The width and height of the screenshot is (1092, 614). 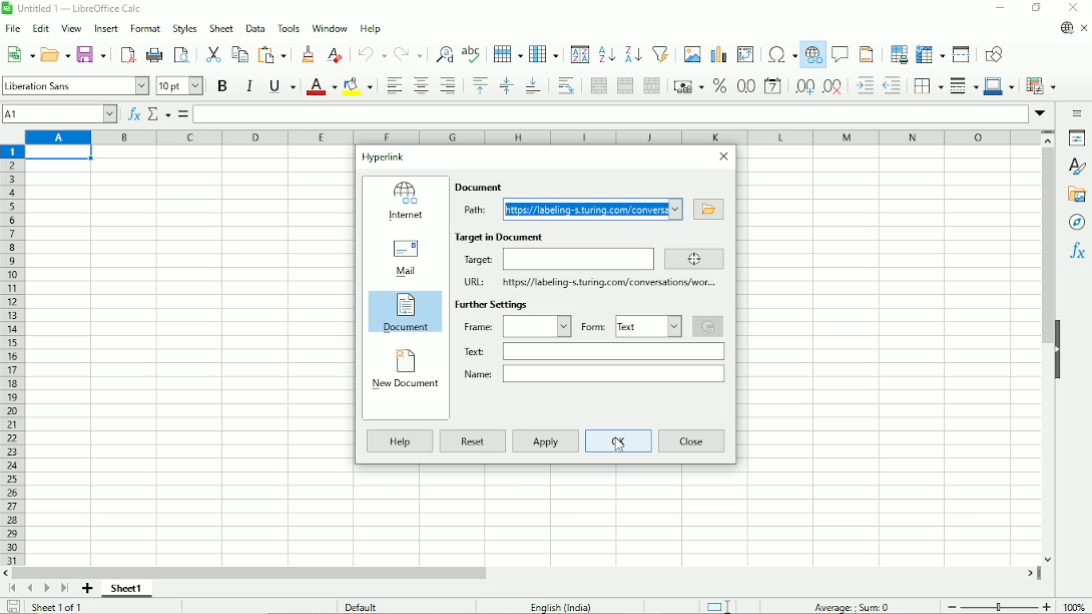 I want to click on Align top, so click(x=479, y=84).